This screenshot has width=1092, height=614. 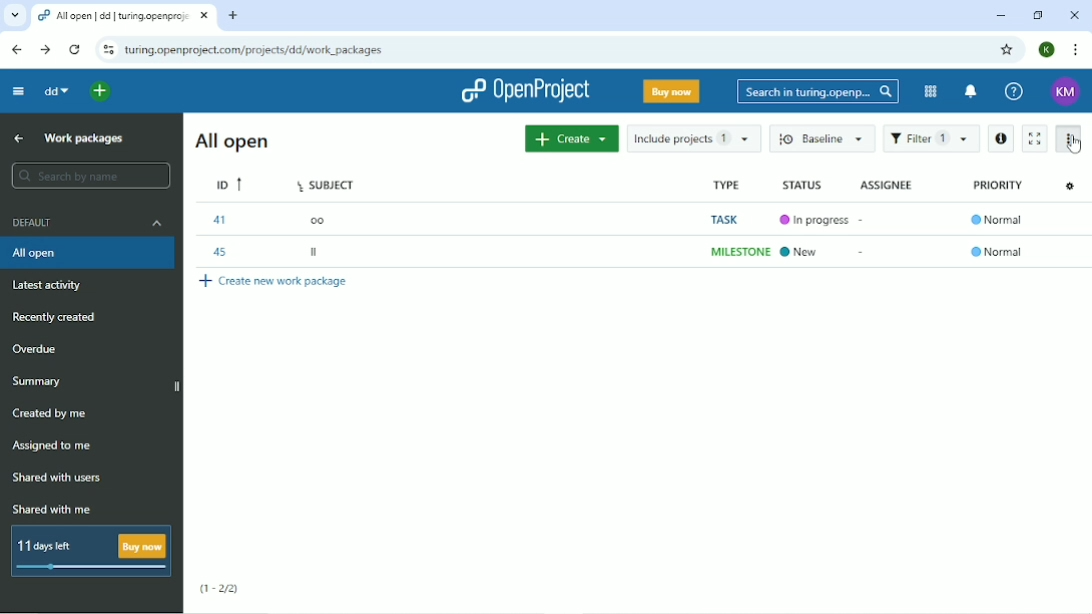 What do you see at coordinates (816, 91) in the screenshot?
I see `Search in turing.openproject.com` at bounding box center [816, 91].